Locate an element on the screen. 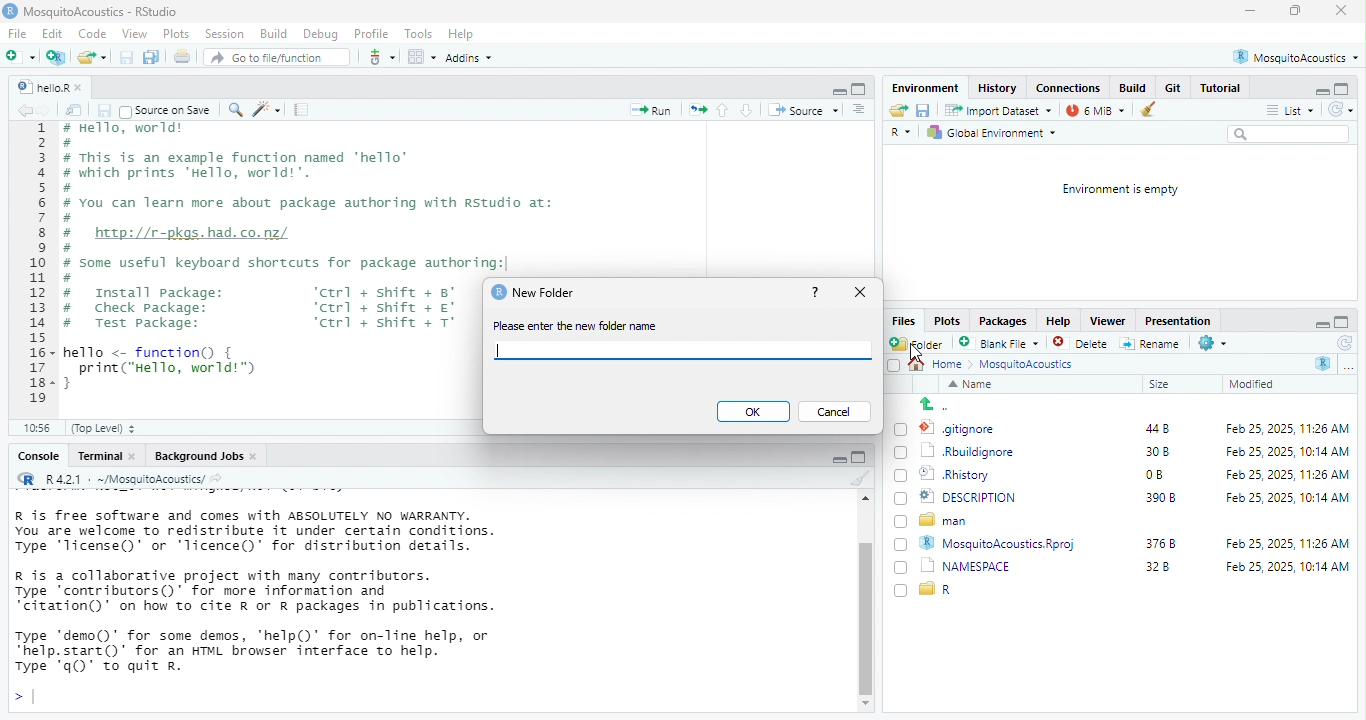 This screenshot has height=720, width=1366. checkbox is located at coordinates (900, 544).